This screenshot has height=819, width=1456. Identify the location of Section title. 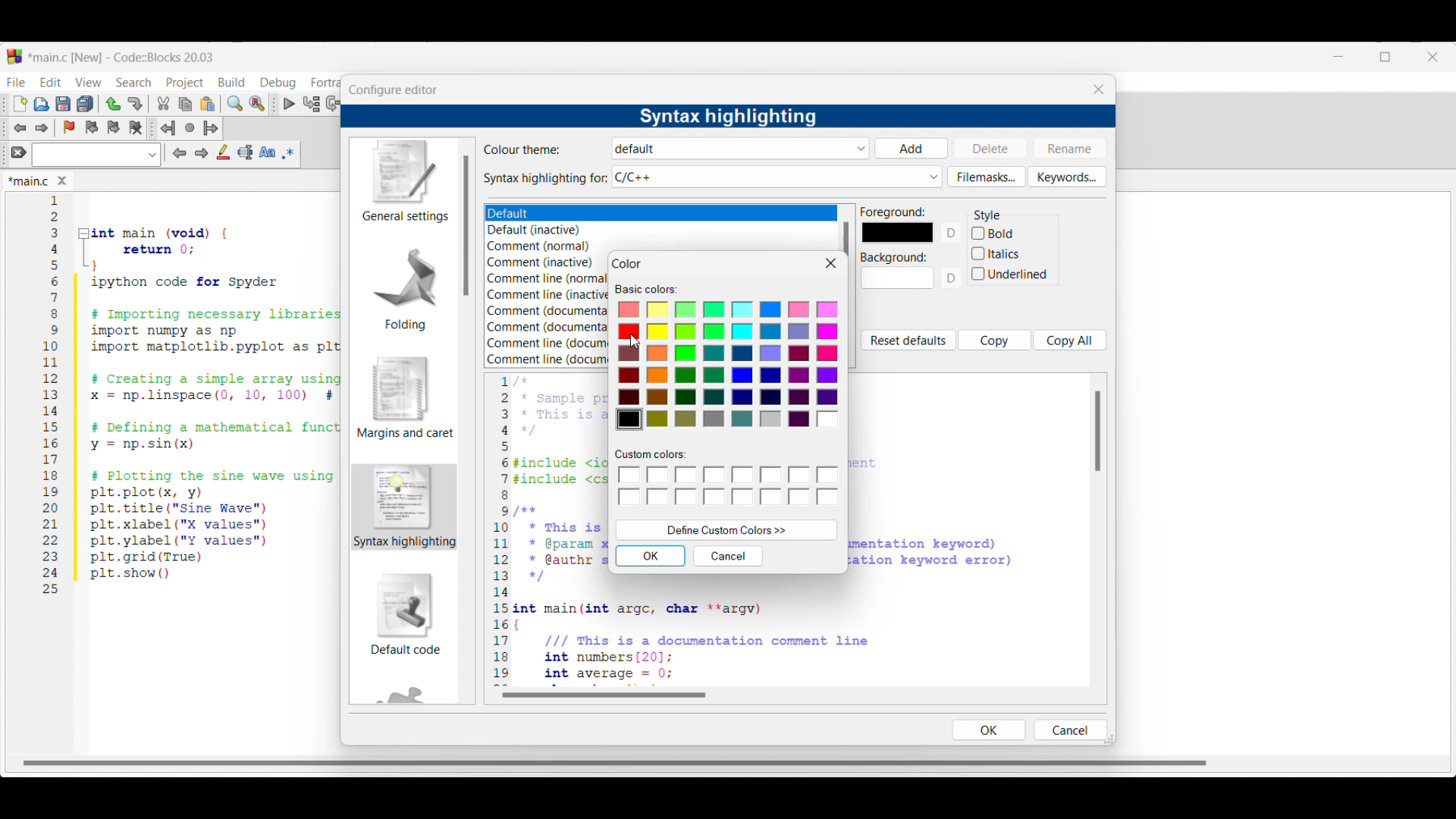
(987, 215).